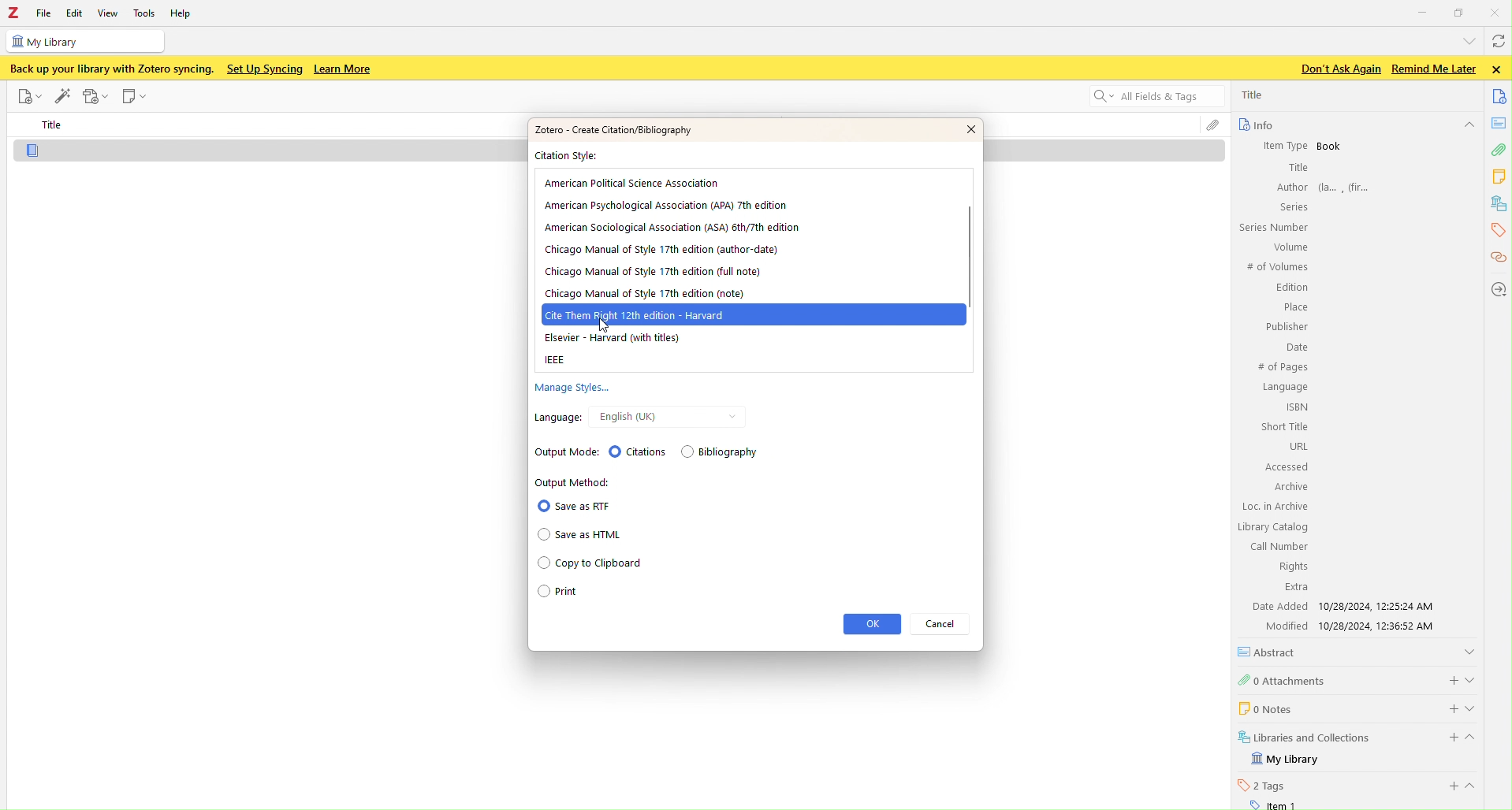  Describe the element at coordinates (1254, 95) in the screenshot. I see `Title` at that location.